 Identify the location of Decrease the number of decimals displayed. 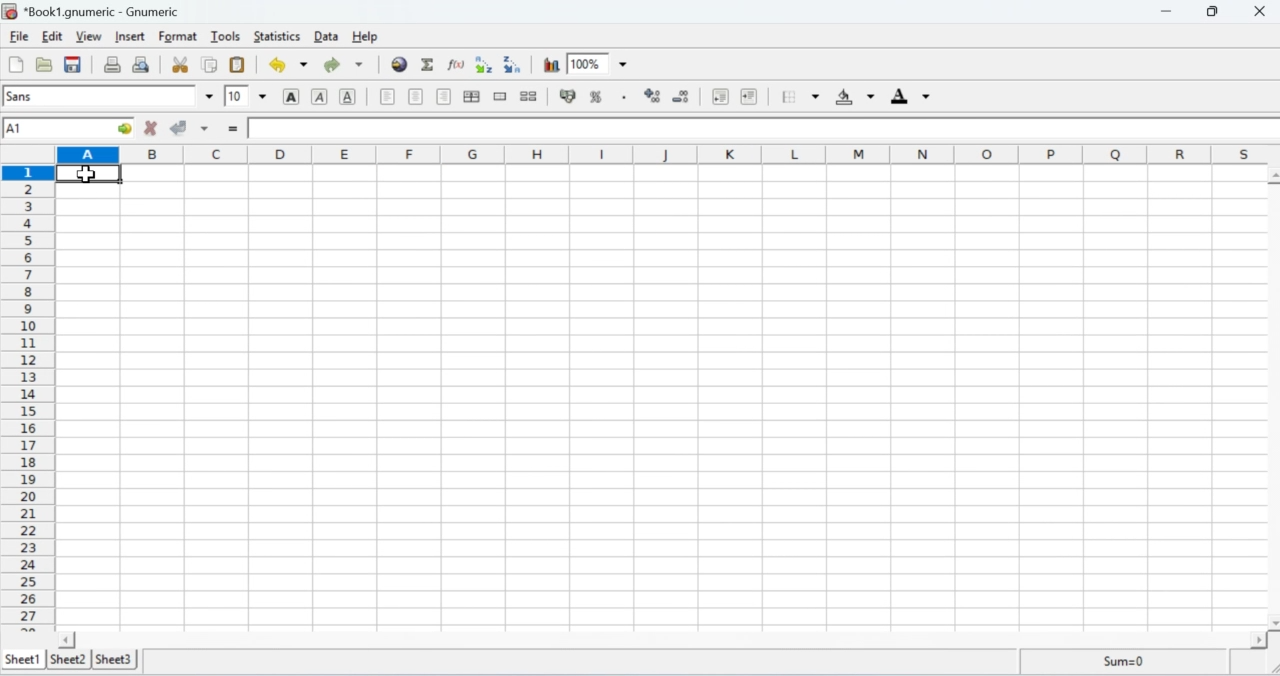
(683, 94).